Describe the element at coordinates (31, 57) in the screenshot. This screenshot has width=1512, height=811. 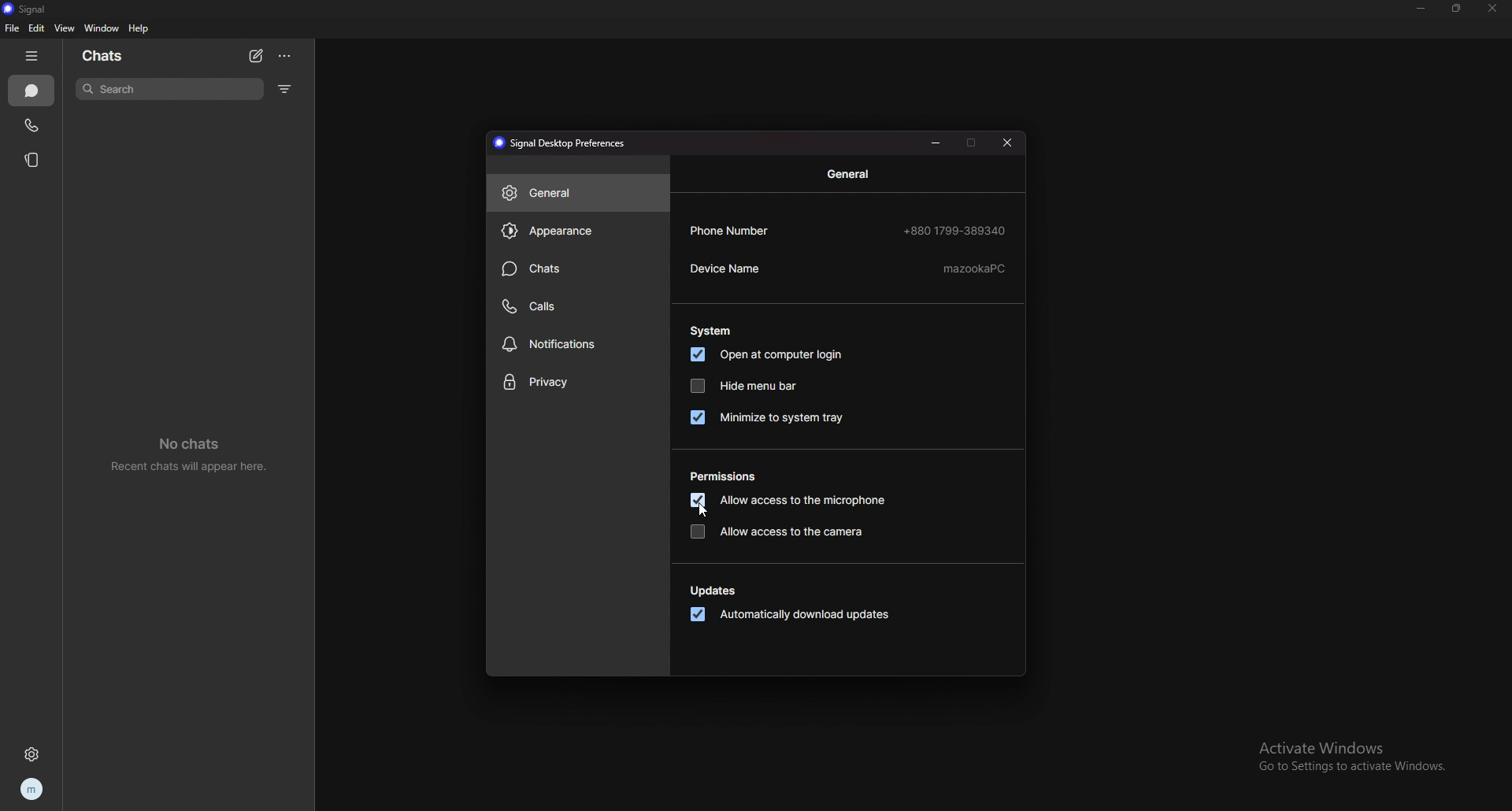
I see `hide tab` at that location.